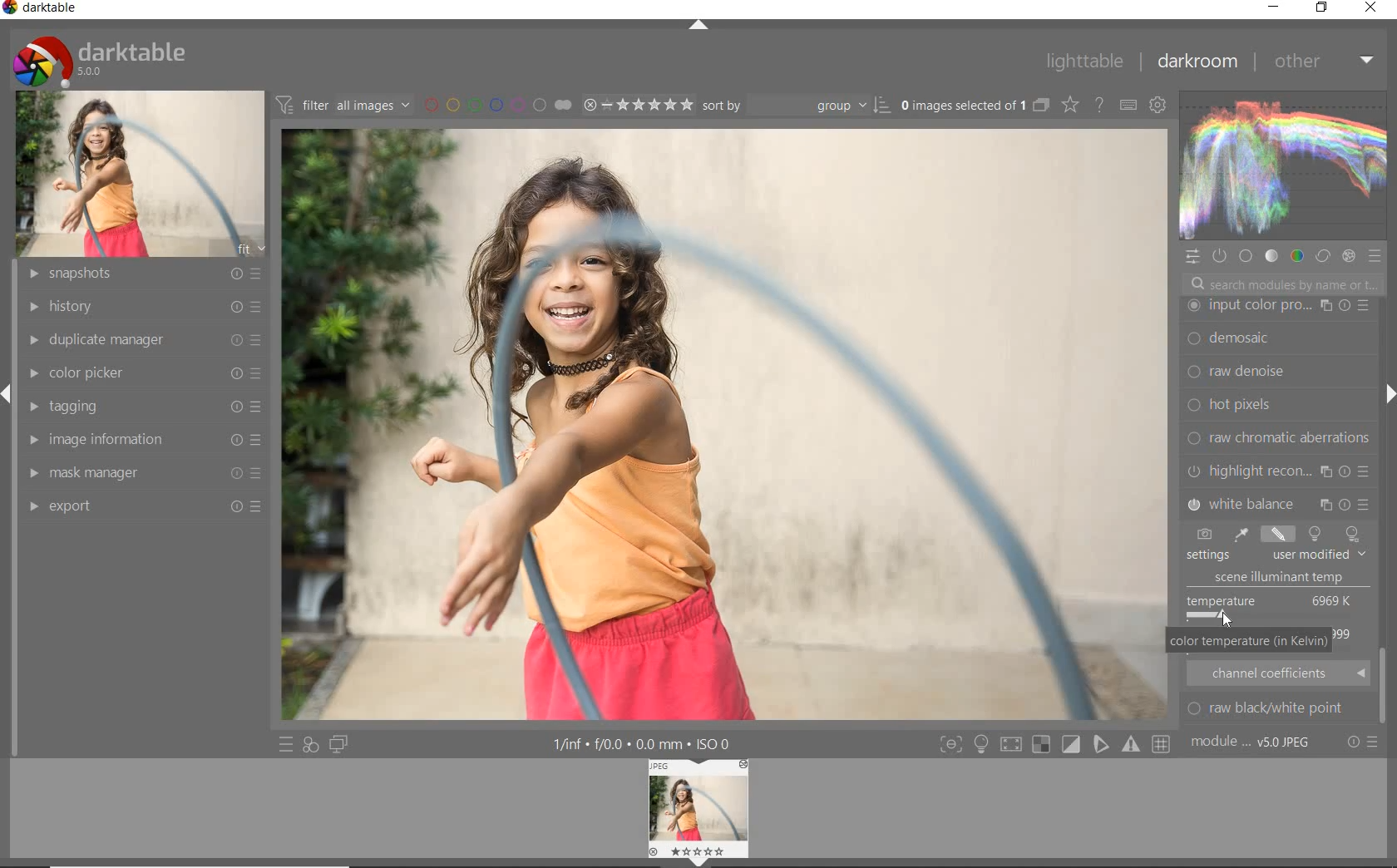 This screenshot has width=1397, height=868. What do you see at coordinates (149, 370) in the screenshot?
I see `color picker` at bounding box center [149, 370].